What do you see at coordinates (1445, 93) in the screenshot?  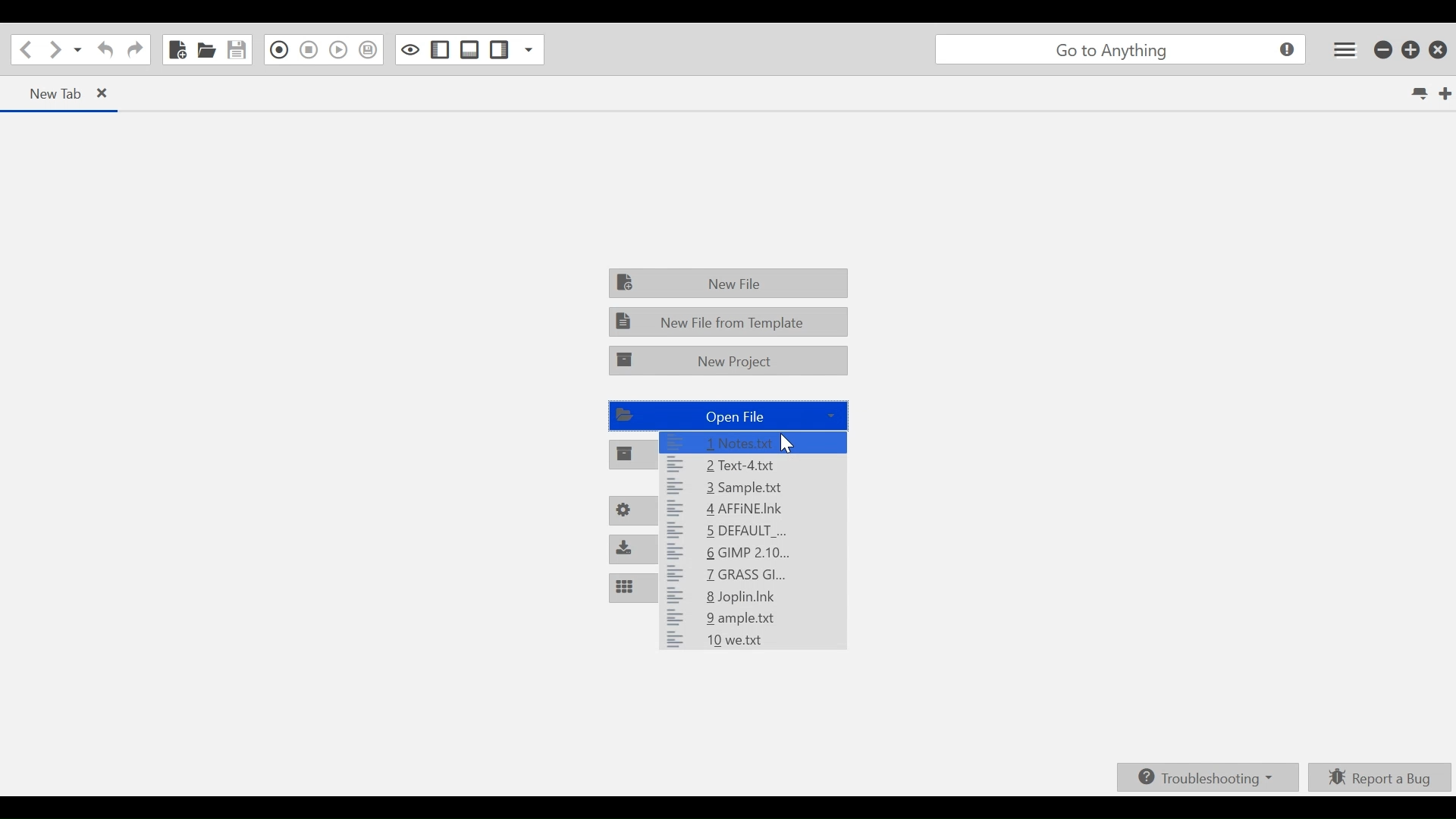 I see `New Tab` at bounding box center [1445, 93].